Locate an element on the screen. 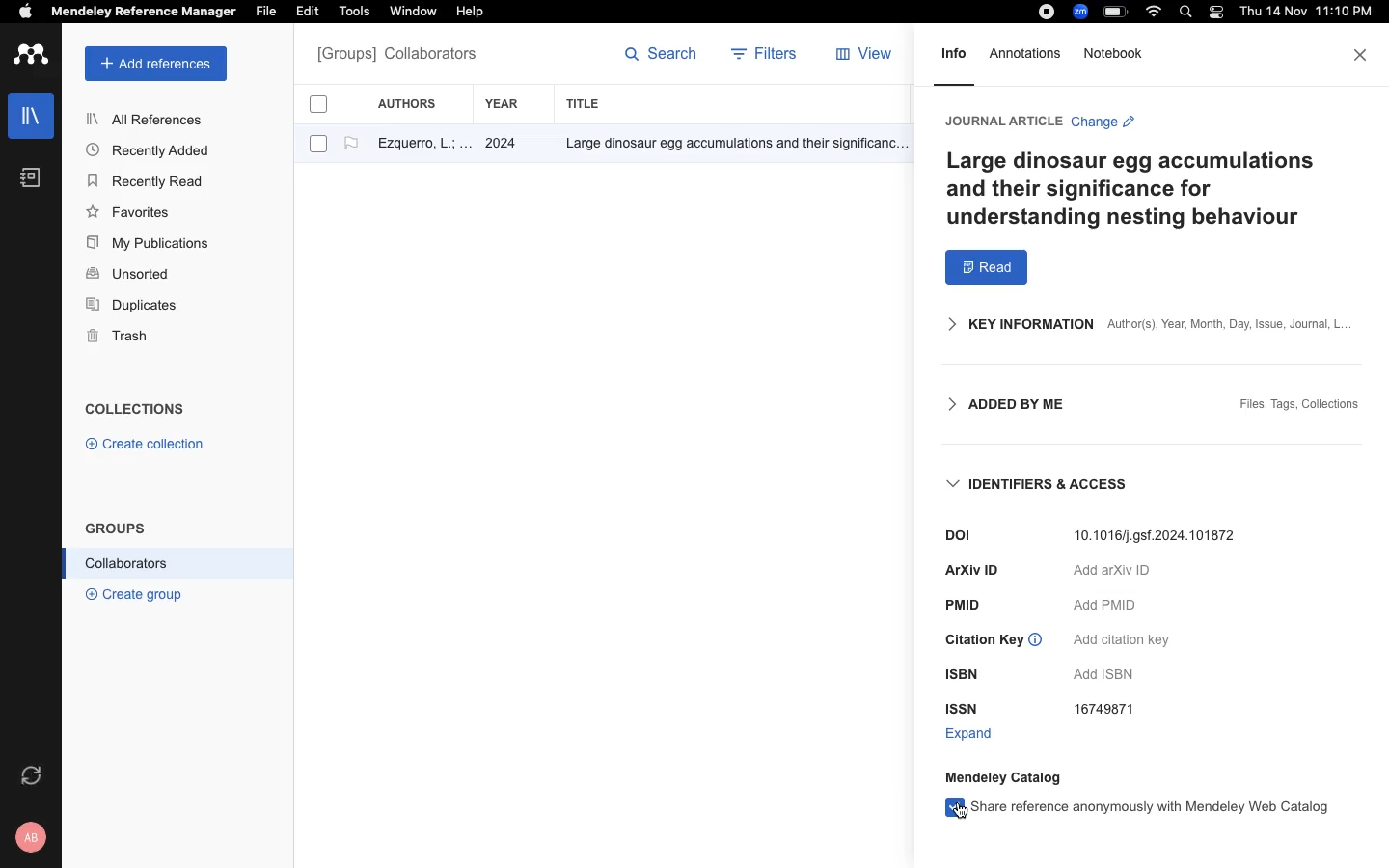 Image resolution: width=1389 pixels, height=868 pixels. © Create collection is located at coordinates (146, 448).